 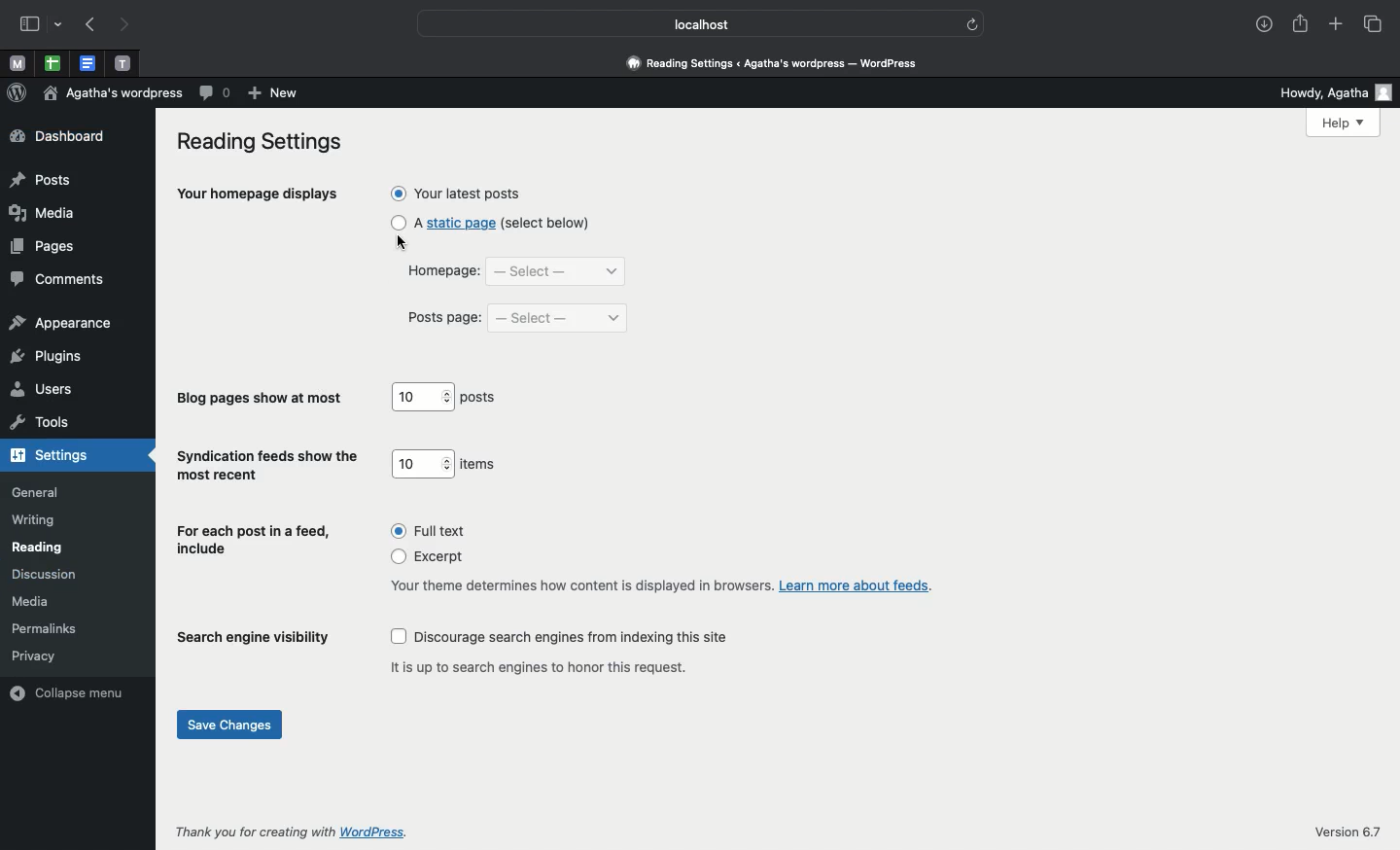 What do you see at coordinates (295, 832) in the screenshot?
I see `Thank you for creating with Wordpress` at bounding box center [295, 832].